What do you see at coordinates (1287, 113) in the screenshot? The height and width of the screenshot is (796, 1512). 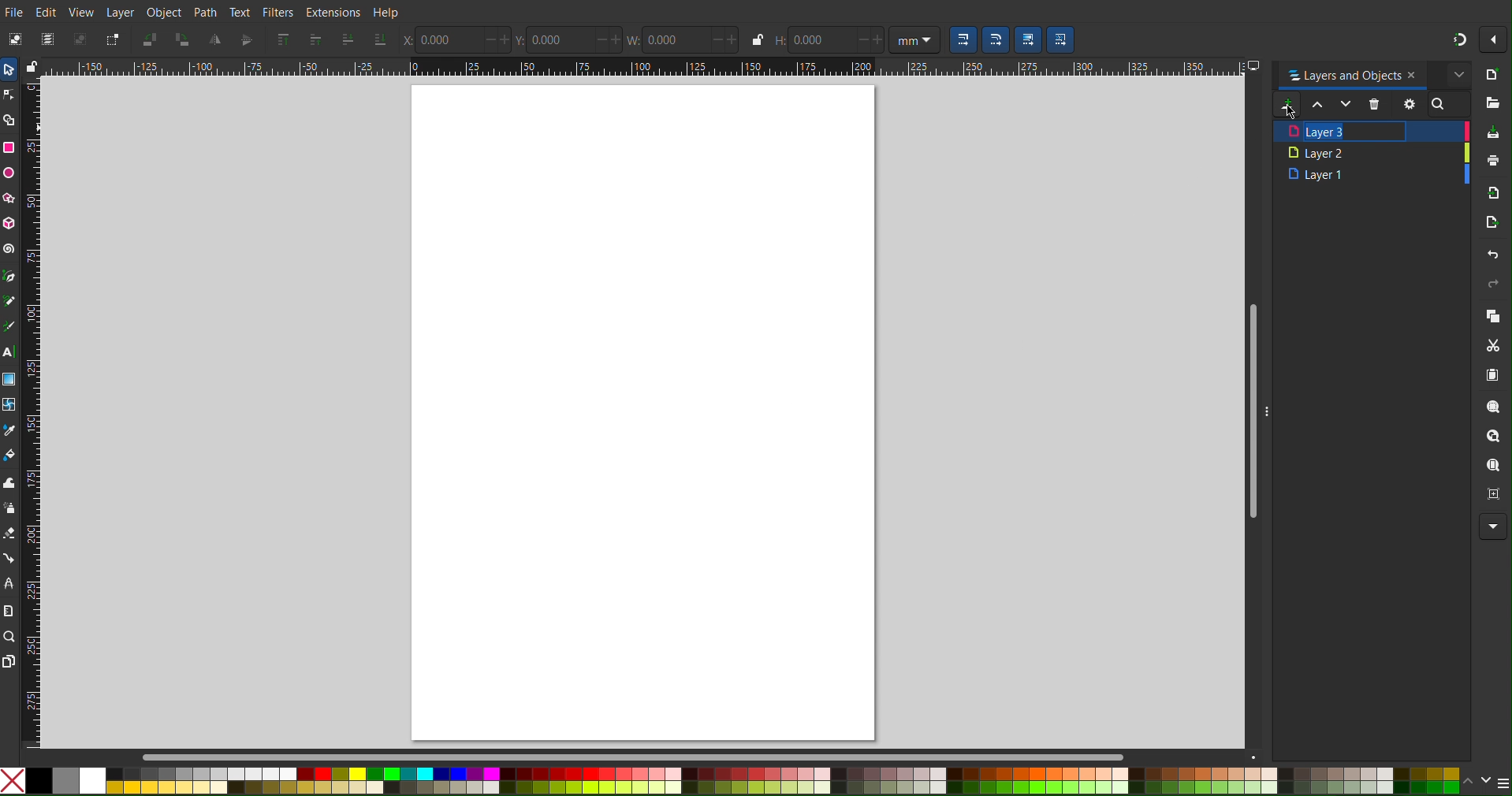 I see `Cursor at new layer` at bounding box center [1287, 113].